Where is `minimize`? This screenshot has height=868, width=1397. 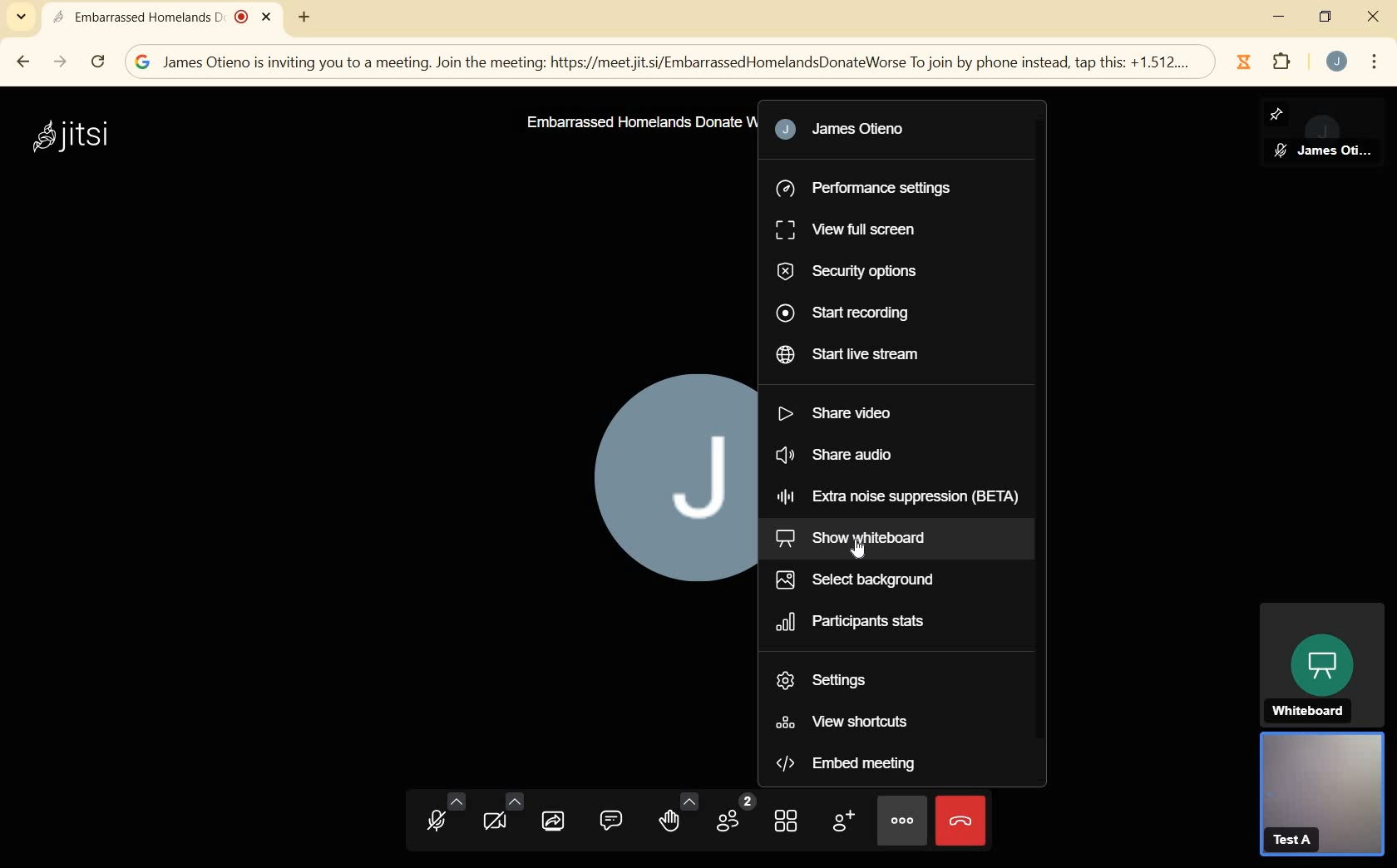 minimize is located at coordinates (1278, 16).